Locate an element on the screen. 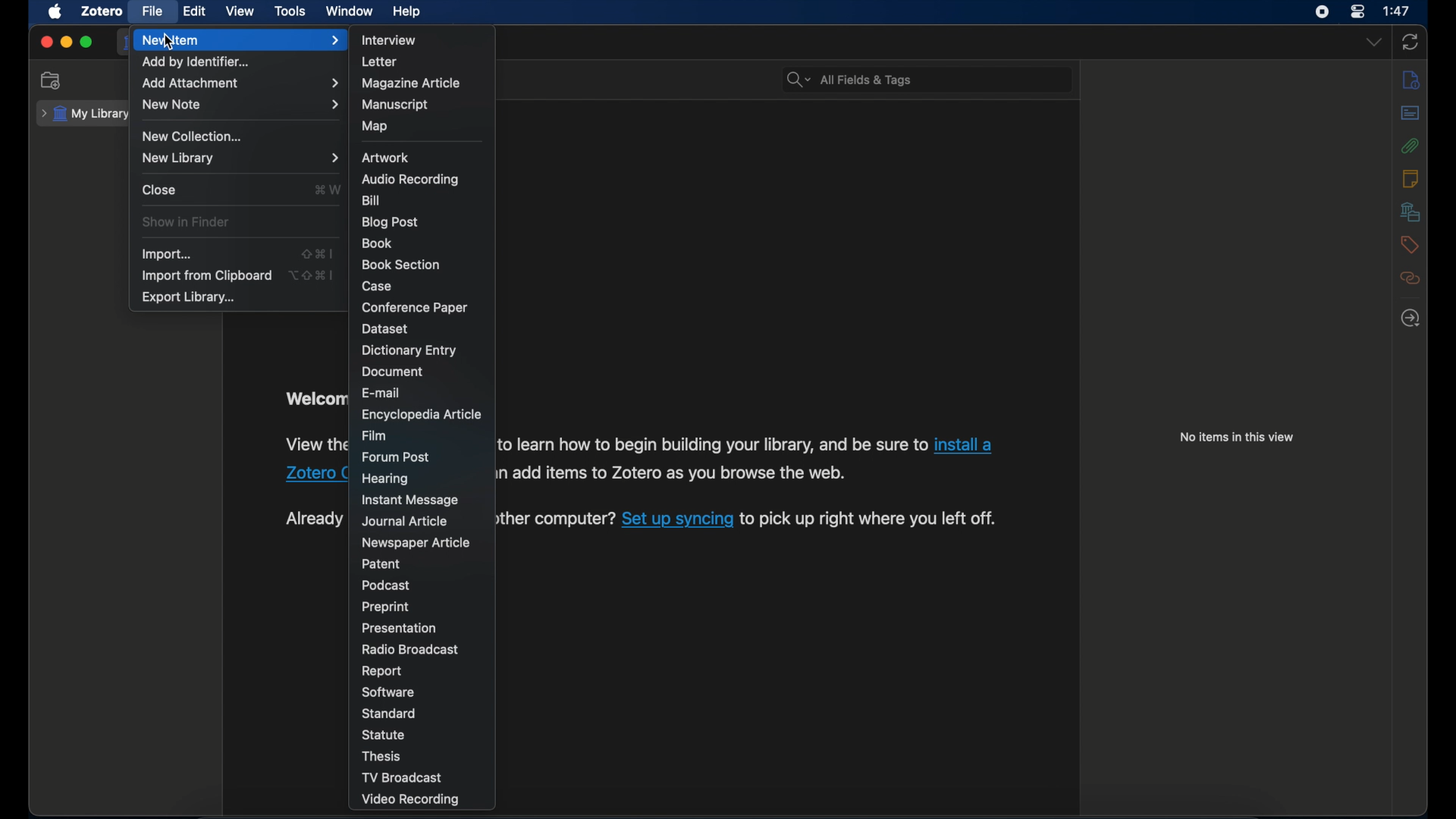  patent is located at coordinates (381, 563).